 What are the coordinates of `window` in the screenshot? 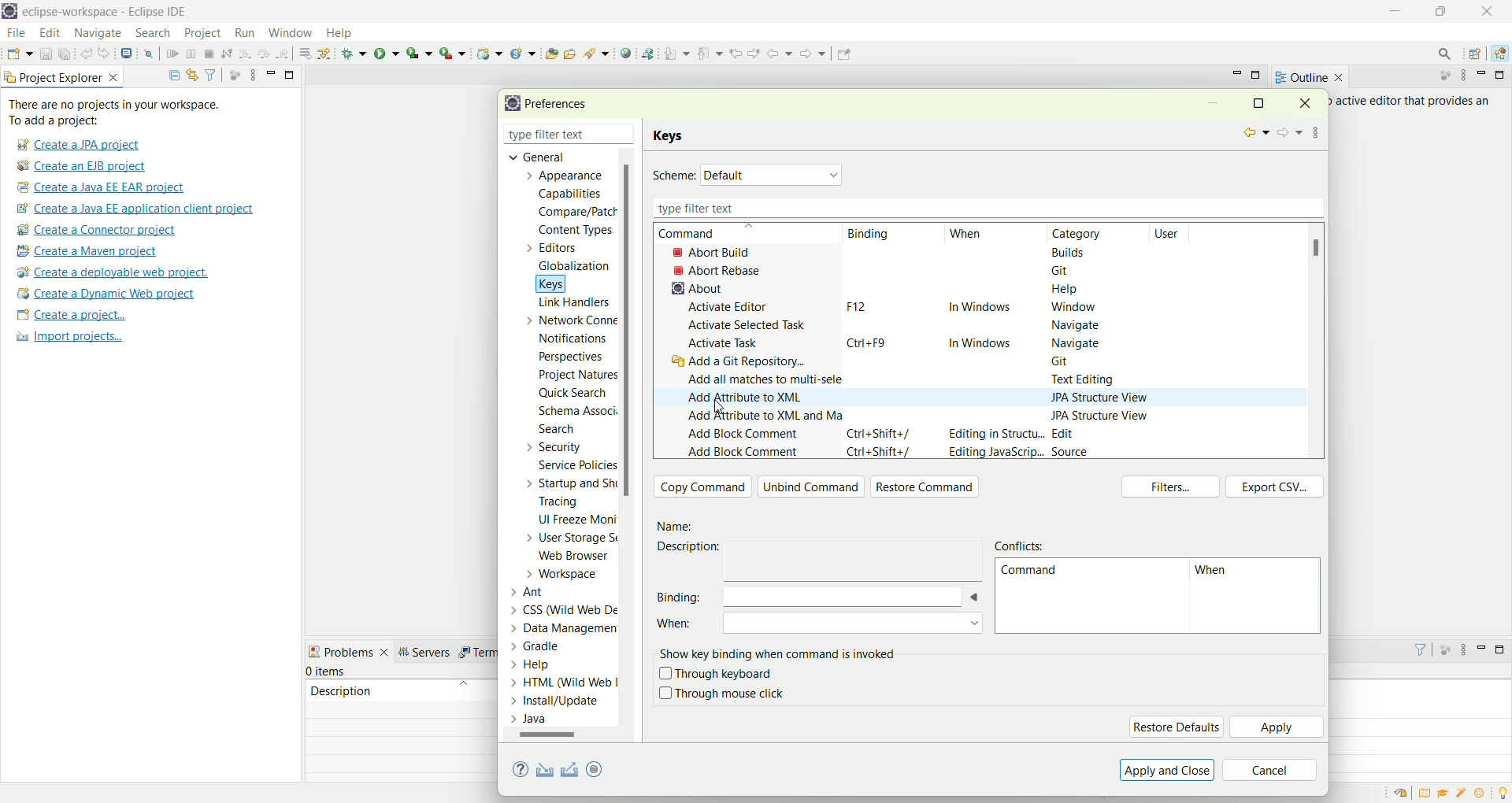 It's located at (1072, 308).